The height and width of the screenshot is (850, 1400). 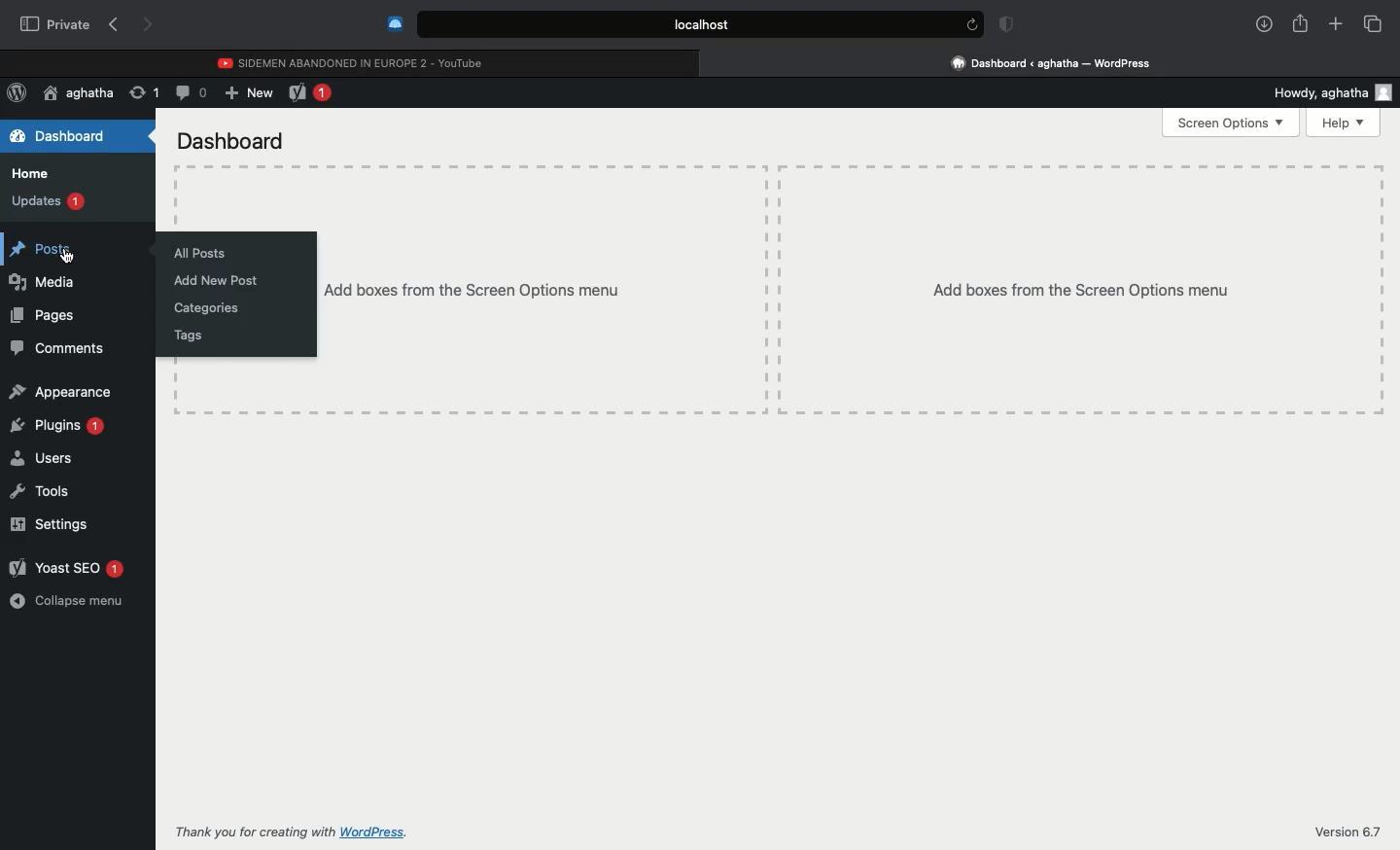 I want to click on refresh, so click(x=970, y=24).